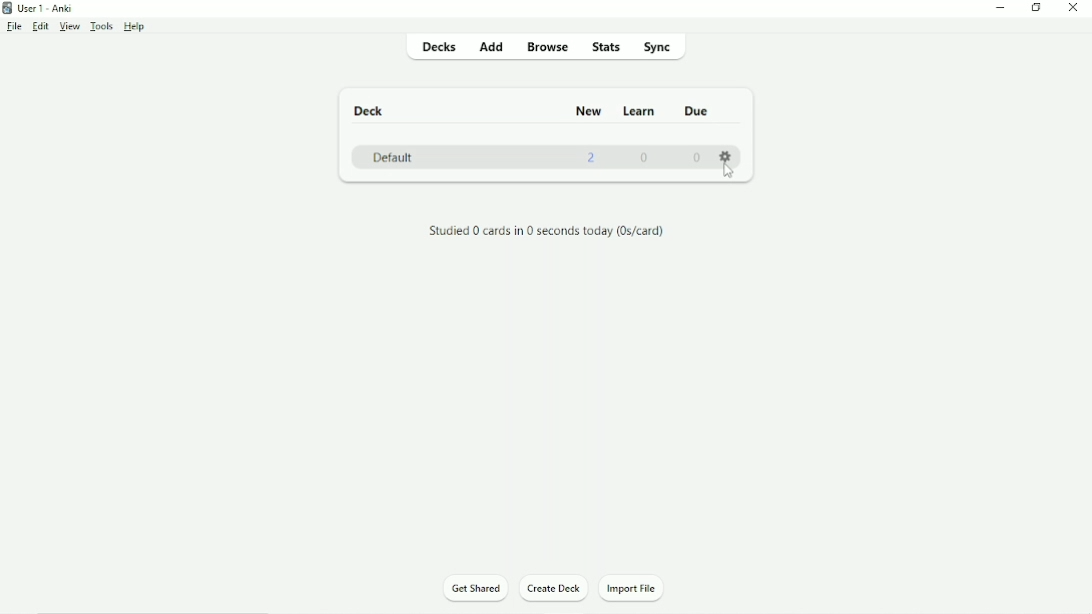 This screenshot has height=614, width=1092. What do you see at coordinates (591, 159) in the screenshot?
I see `2` at bounding box center [591, 159].